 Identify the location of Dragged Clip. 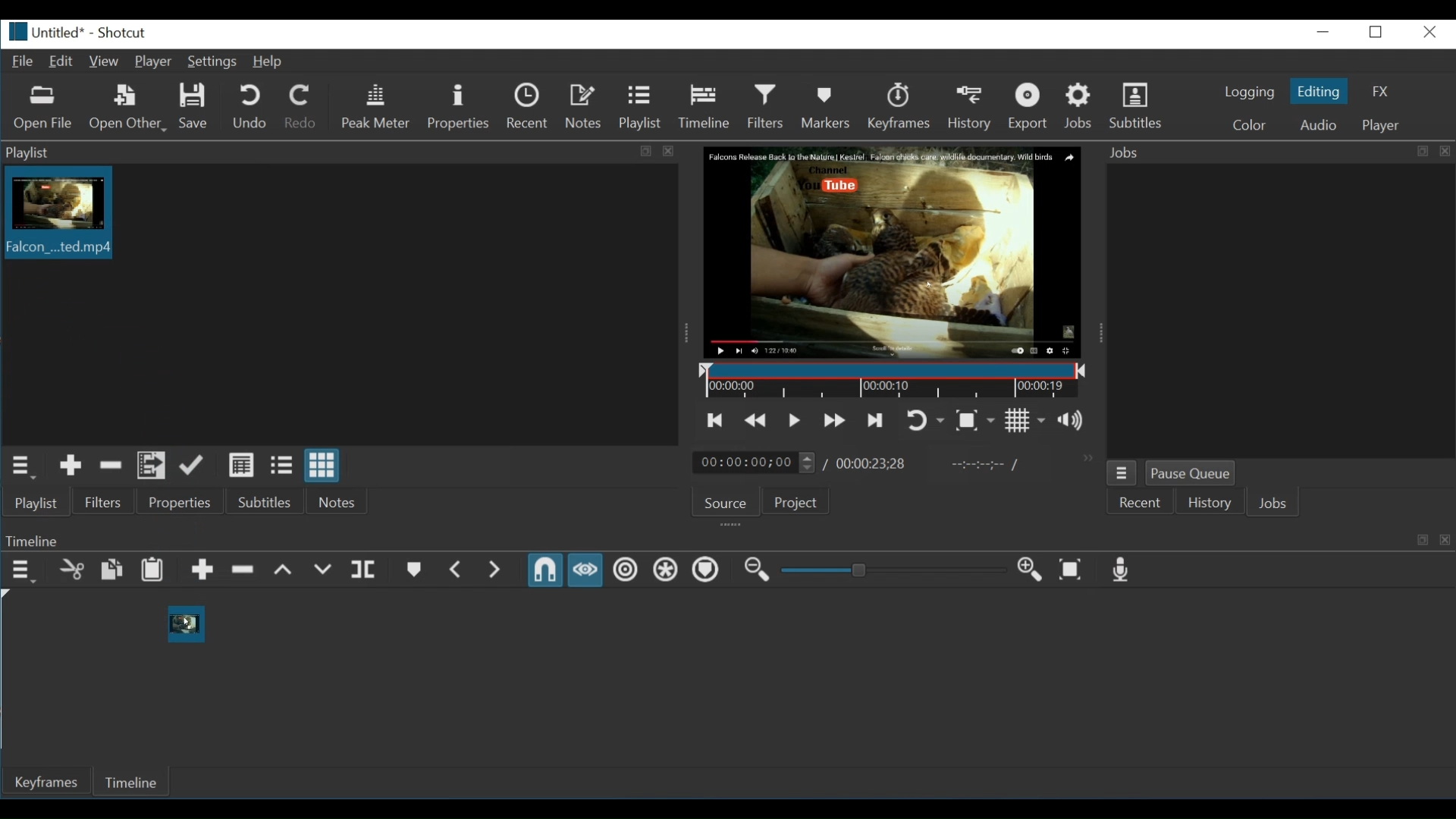
(185, 623).